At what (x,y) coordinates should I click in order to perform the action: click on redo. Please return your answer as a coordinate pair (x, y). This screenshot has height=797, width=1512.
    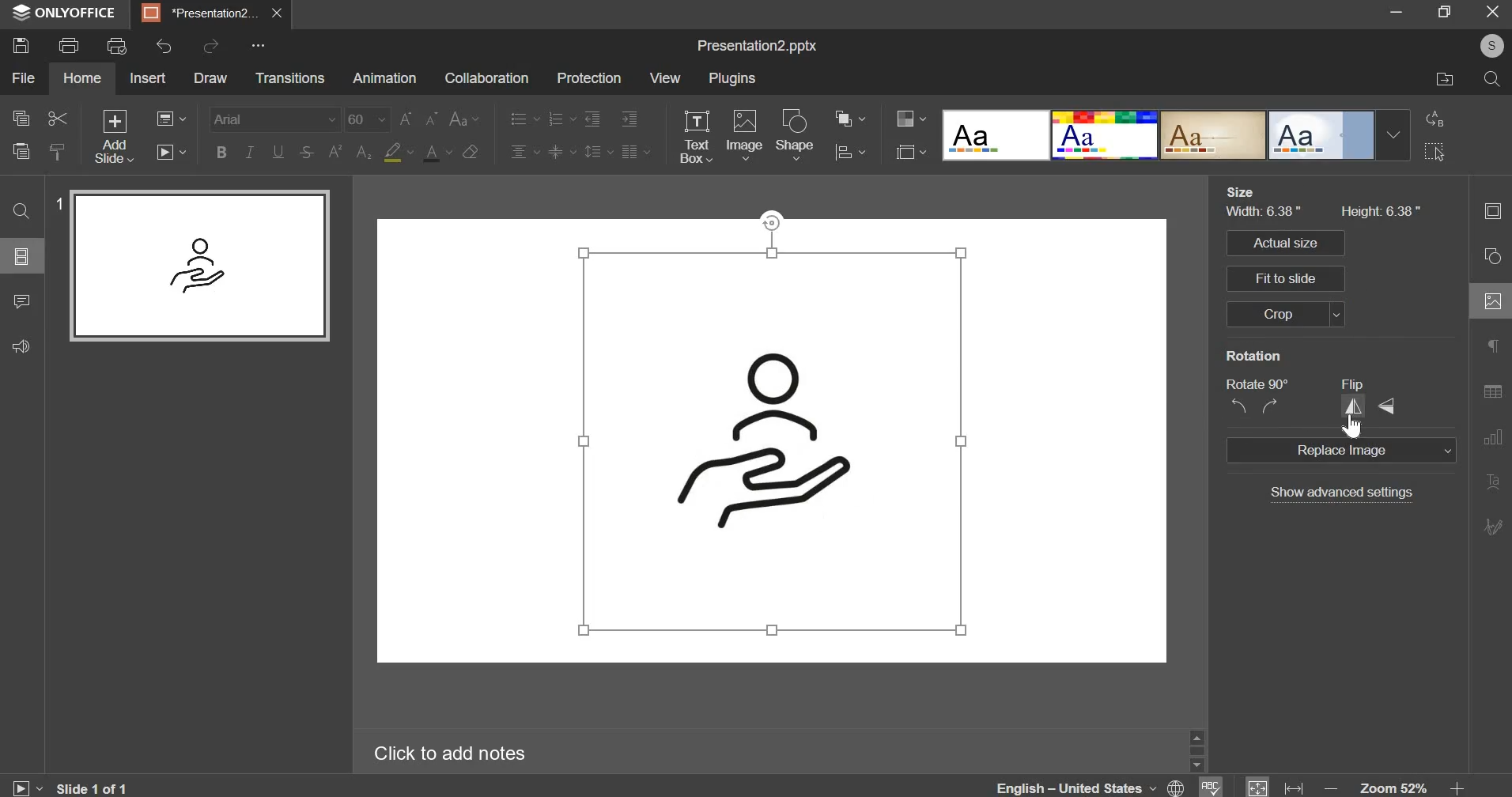
    Looking at the image, I should click on (212, 45).